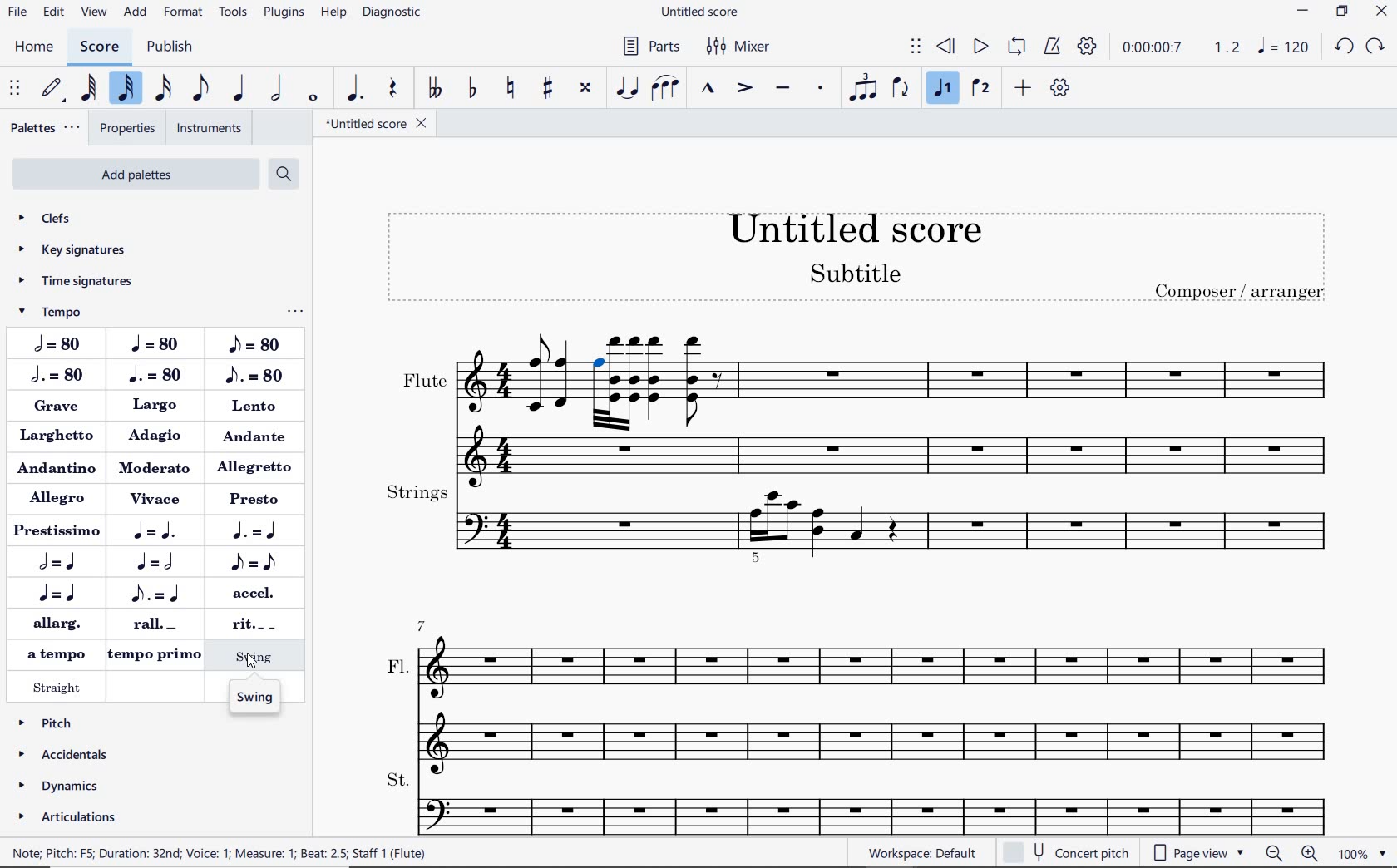 Image resolution: width=1397 pixels, height=868 pixels. What do you see at coordinates (378, 126) in the screenshot?
I see `file name` at bounding box center [378, 126].